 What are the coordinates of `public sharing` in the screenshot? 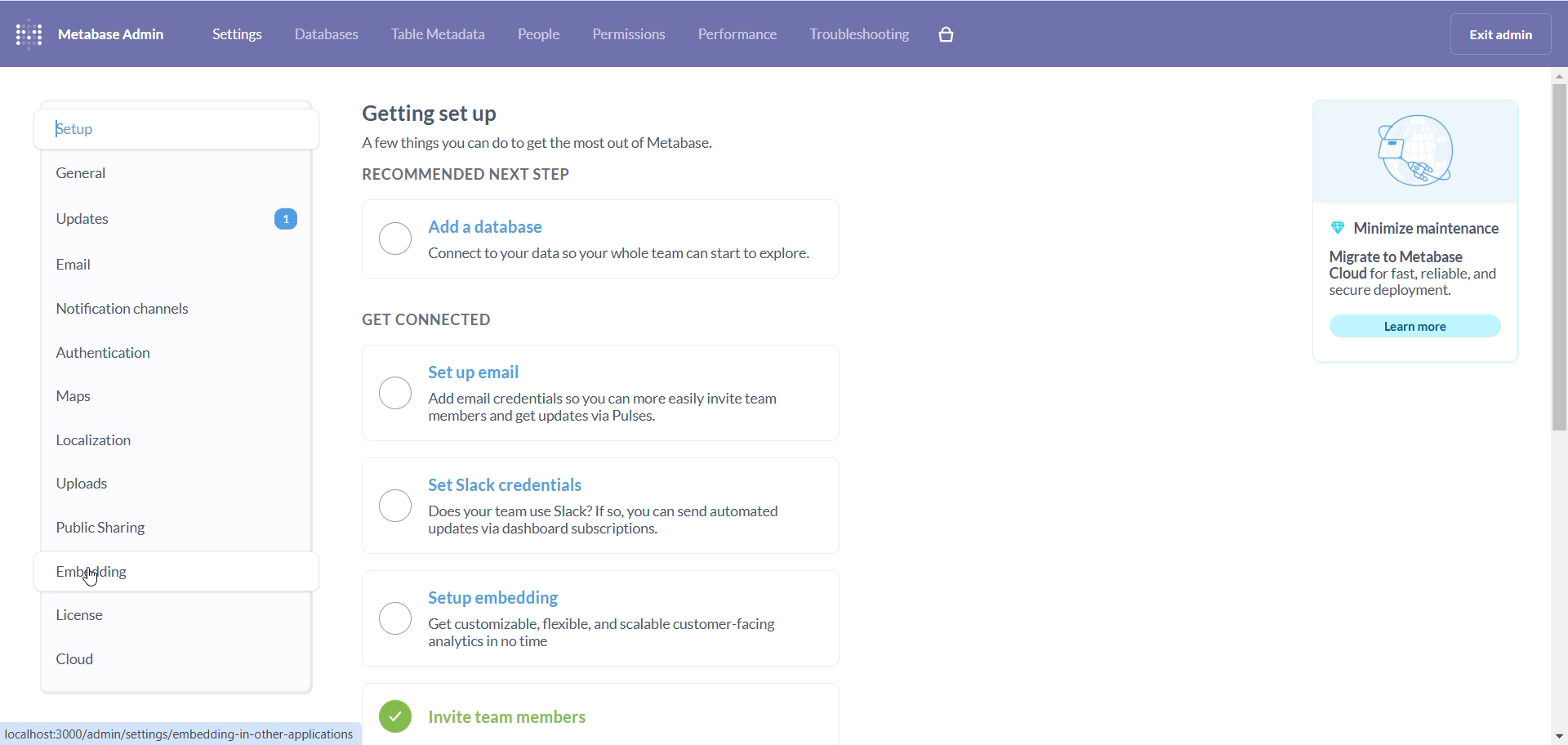 It's located at (151, 533).